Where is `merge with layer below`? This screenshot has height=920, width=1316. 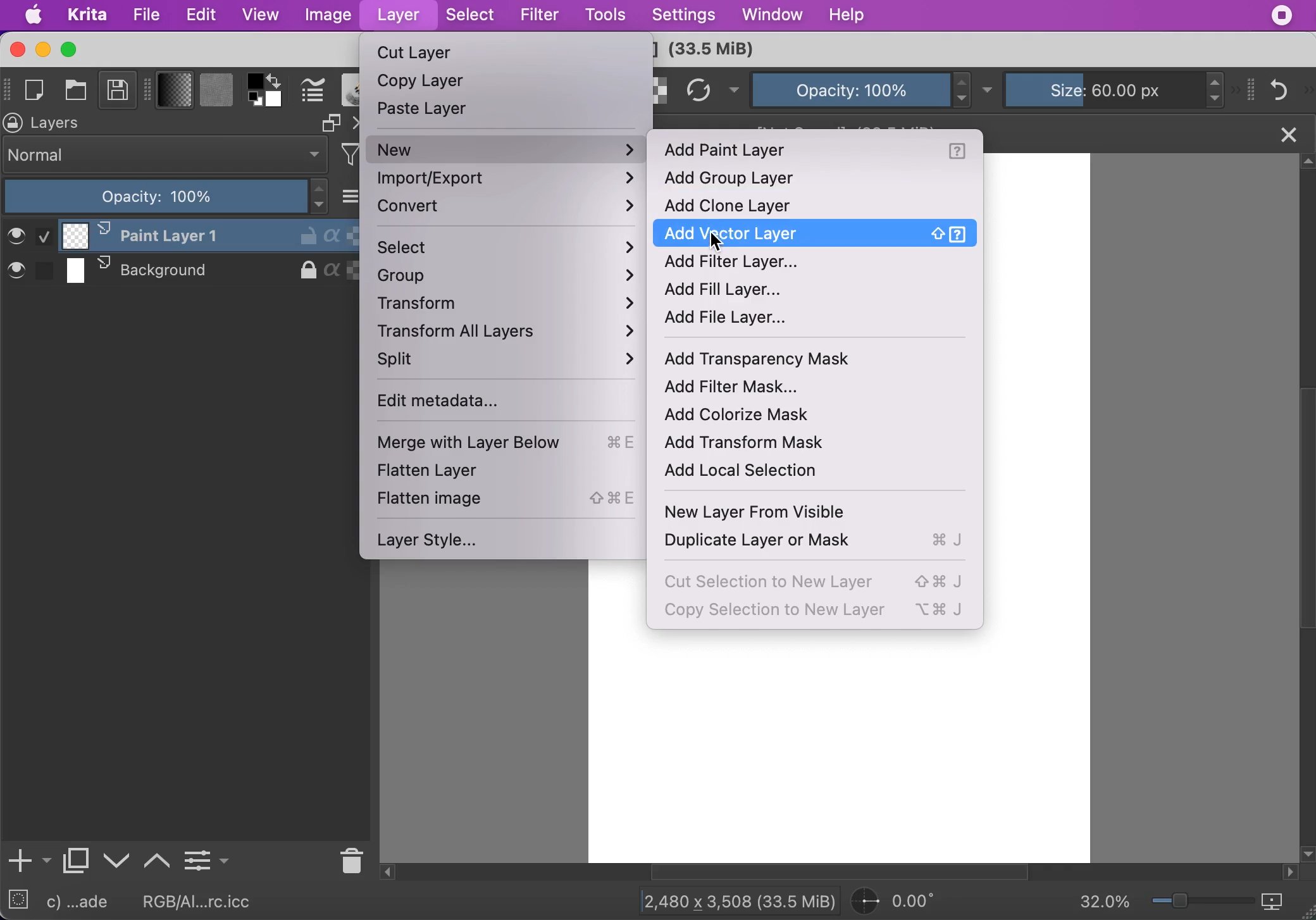 merge with layer below is located at coordinates (514, 445).